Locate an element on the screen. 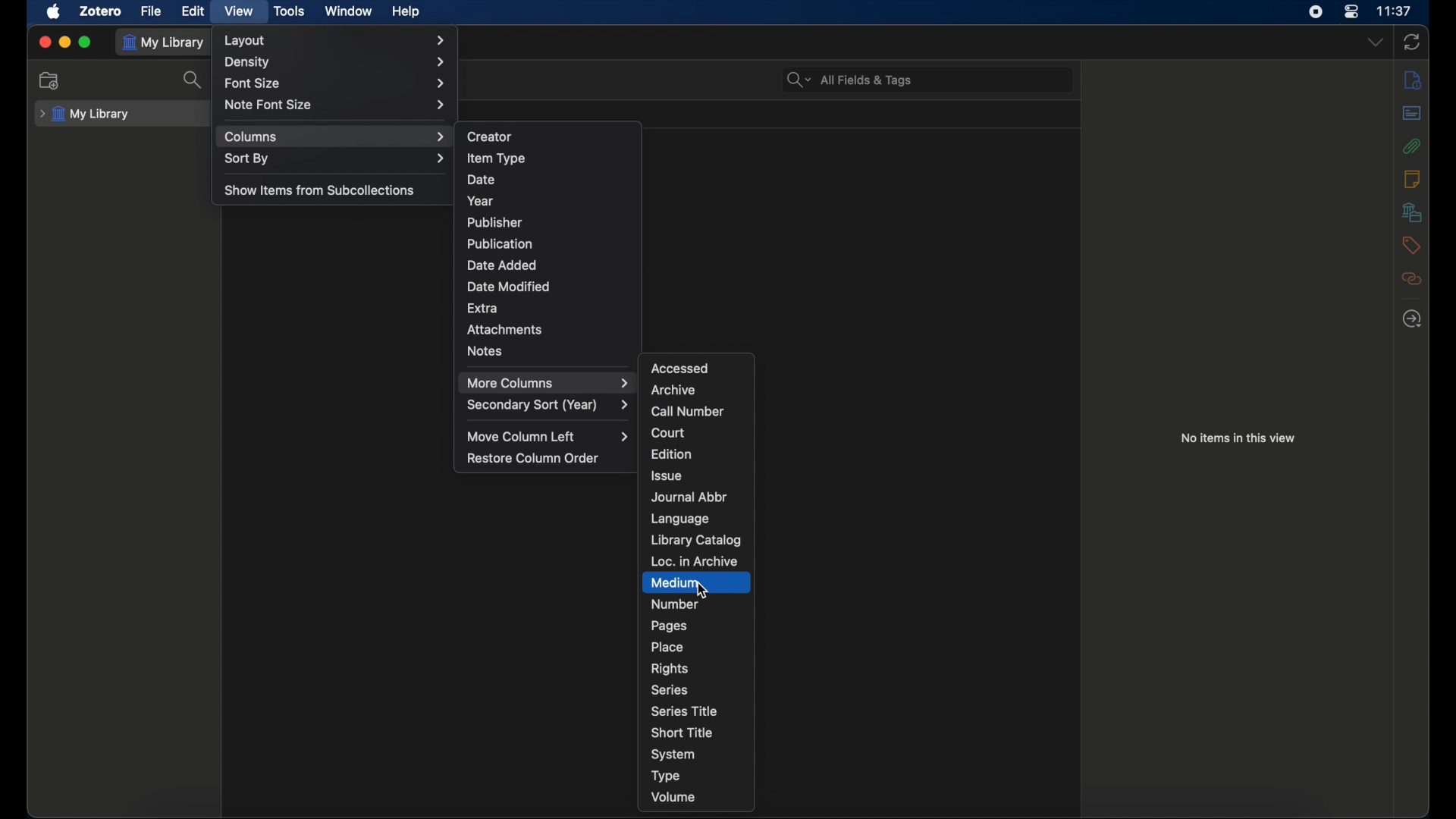  notes is located at coordinates (1411, 177).